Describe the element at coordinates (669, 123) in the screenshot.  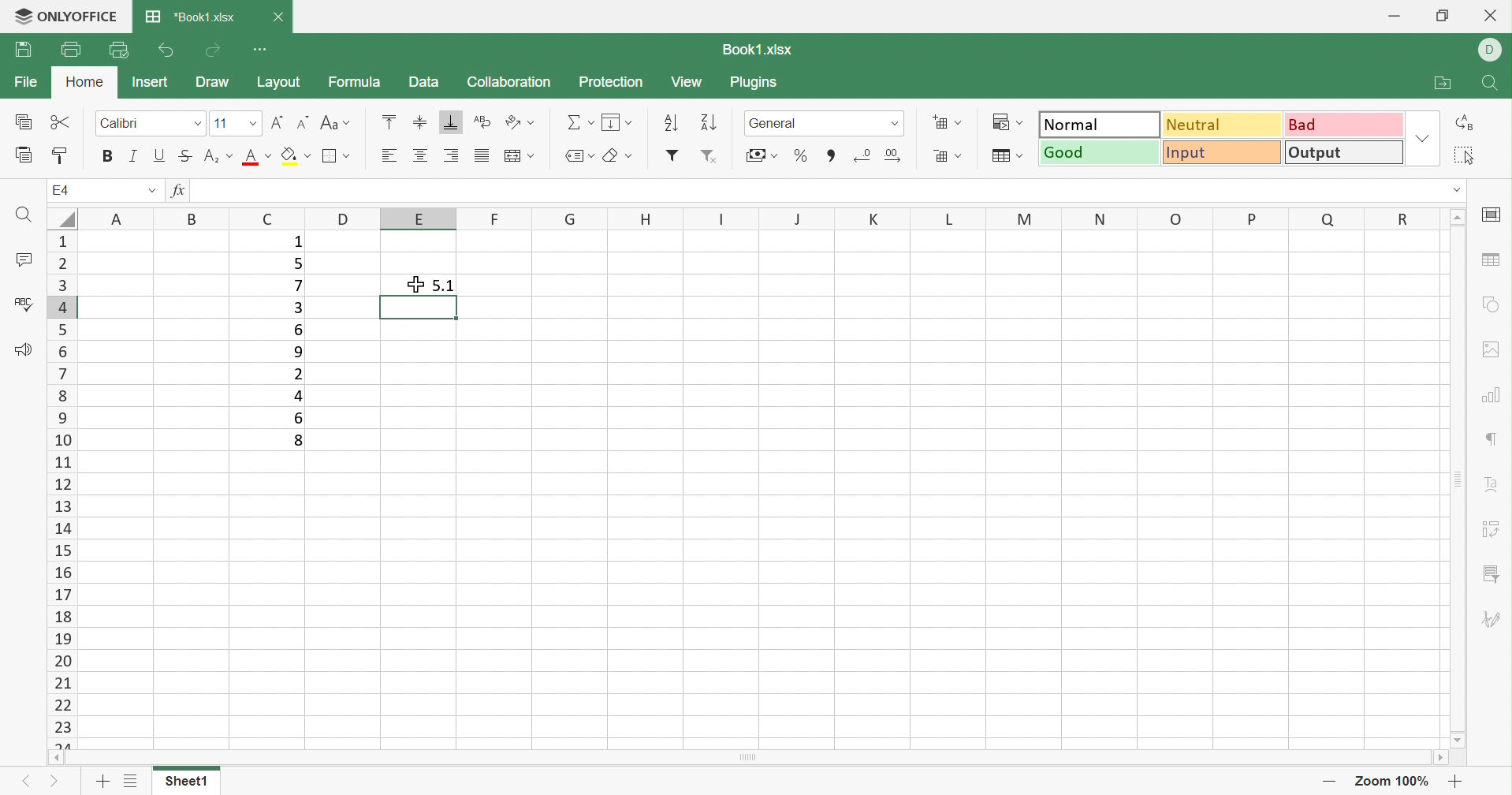
I see `Ascending order` at that location.